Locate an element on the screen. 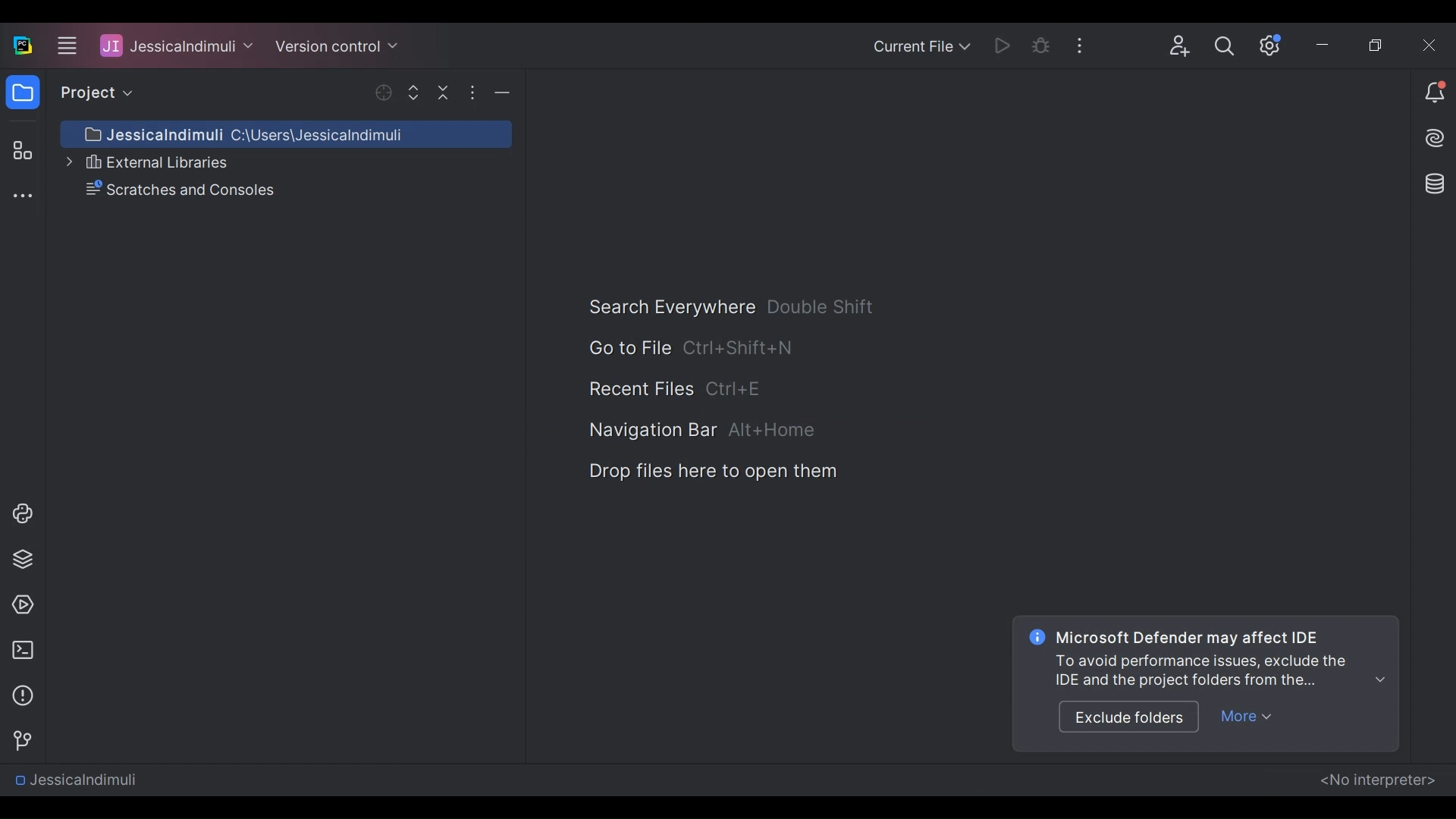 The image size is (1456, 819). Prompt is located at coordinates (1200, 674).